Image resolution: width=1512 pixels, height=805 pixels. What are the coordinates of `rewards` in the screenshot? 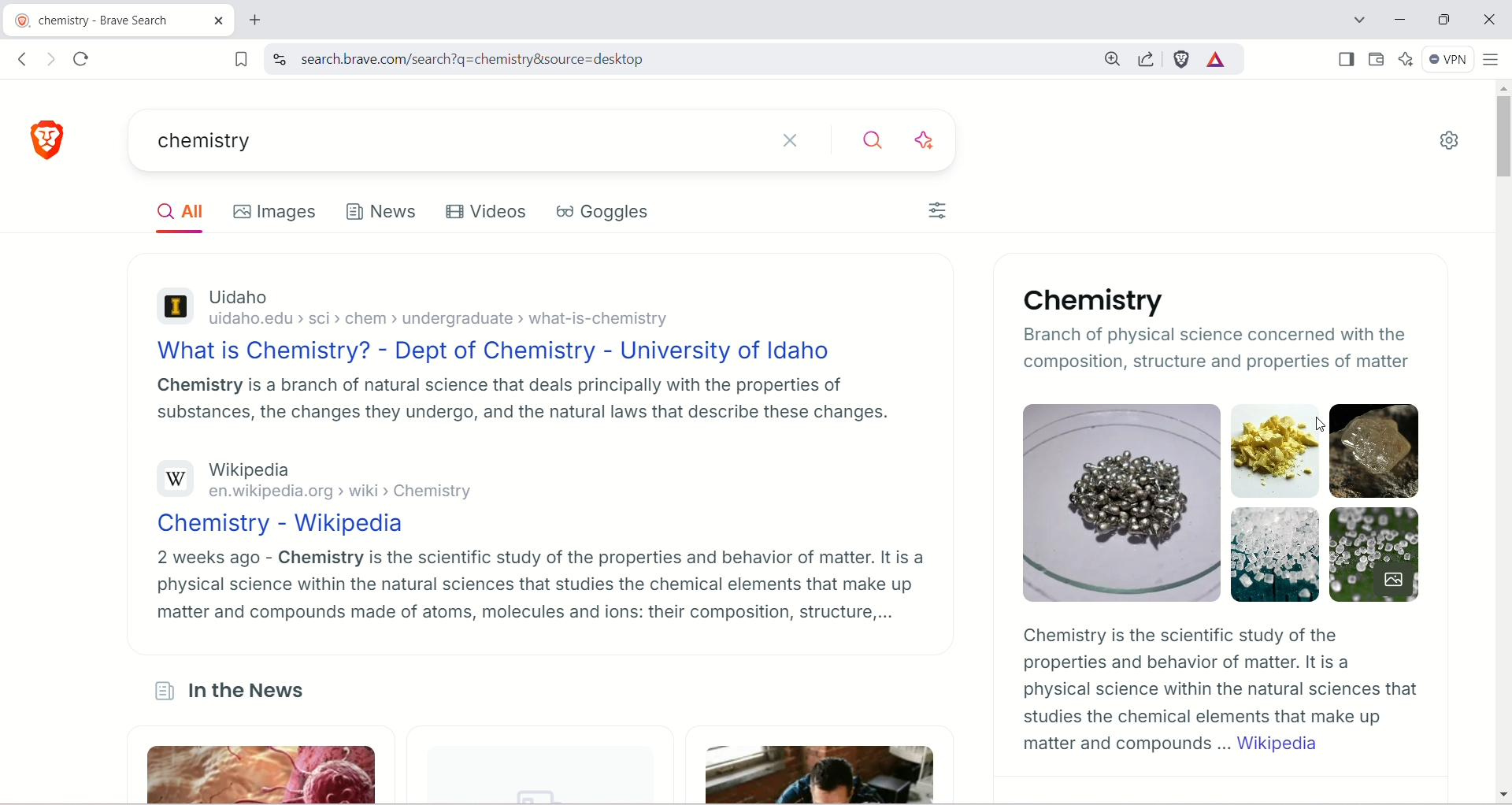 It's located at (1215, 59).